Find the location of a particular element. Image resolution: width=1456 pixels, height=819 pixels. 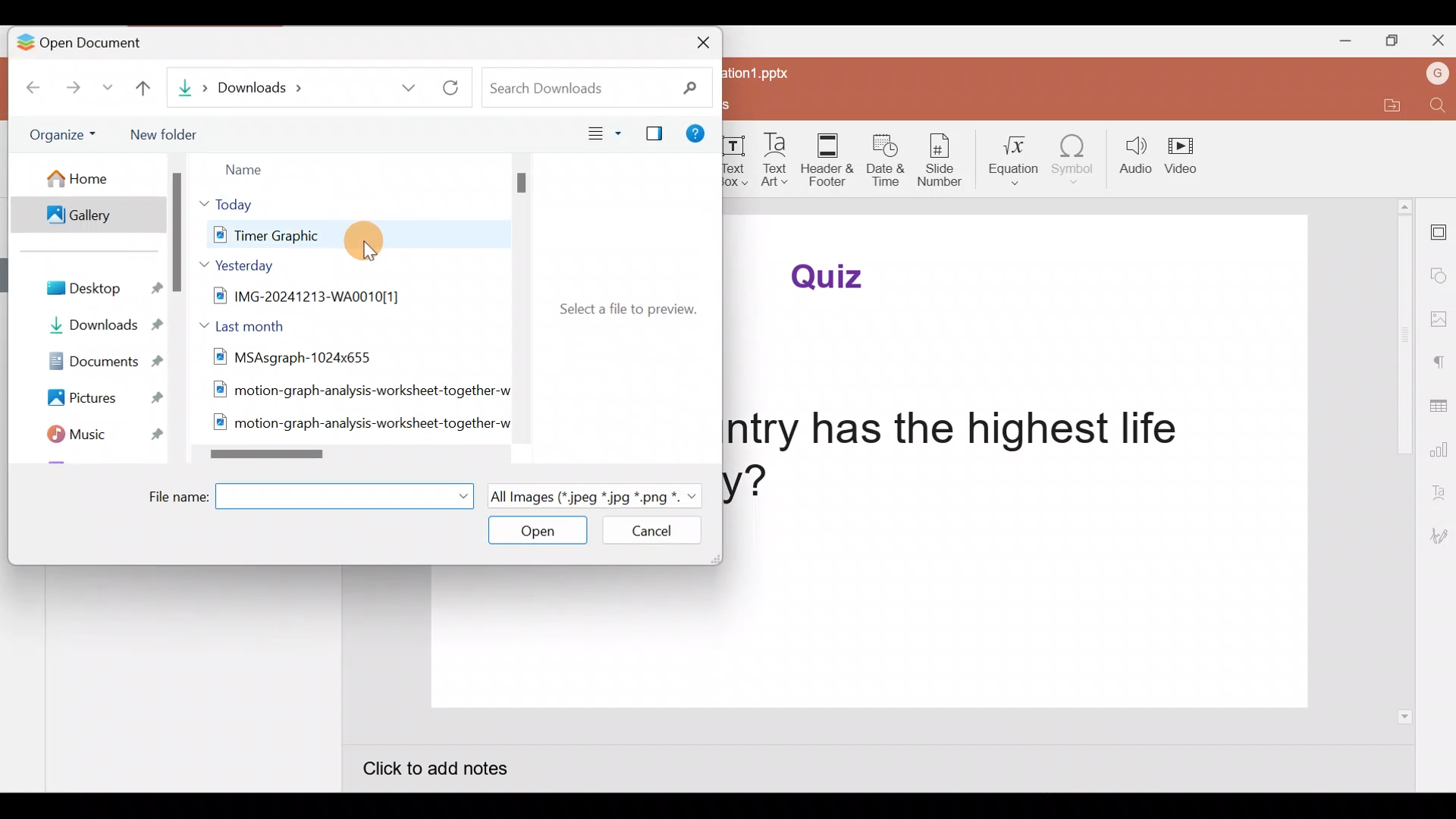

Back is located at coordinates (26, 89).